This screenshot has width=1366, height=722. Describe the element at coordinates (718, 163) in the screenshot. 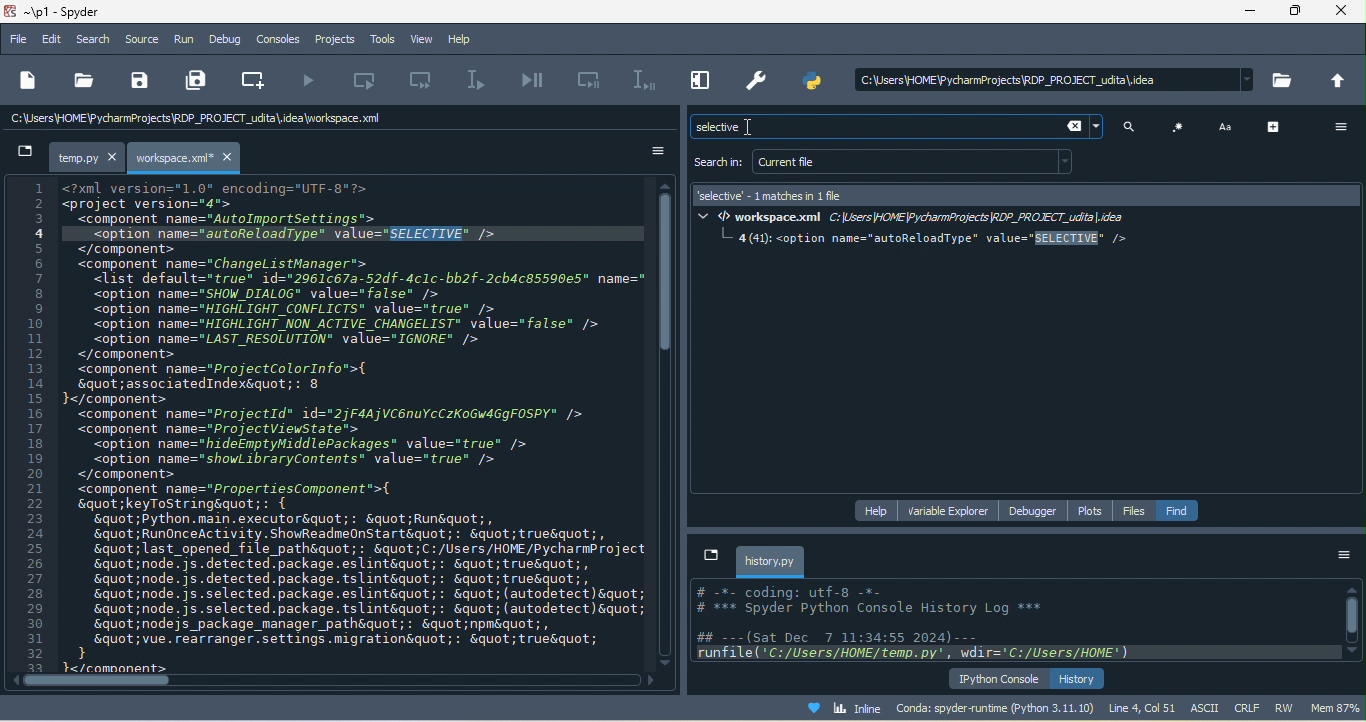

I see `search in:` at that location.